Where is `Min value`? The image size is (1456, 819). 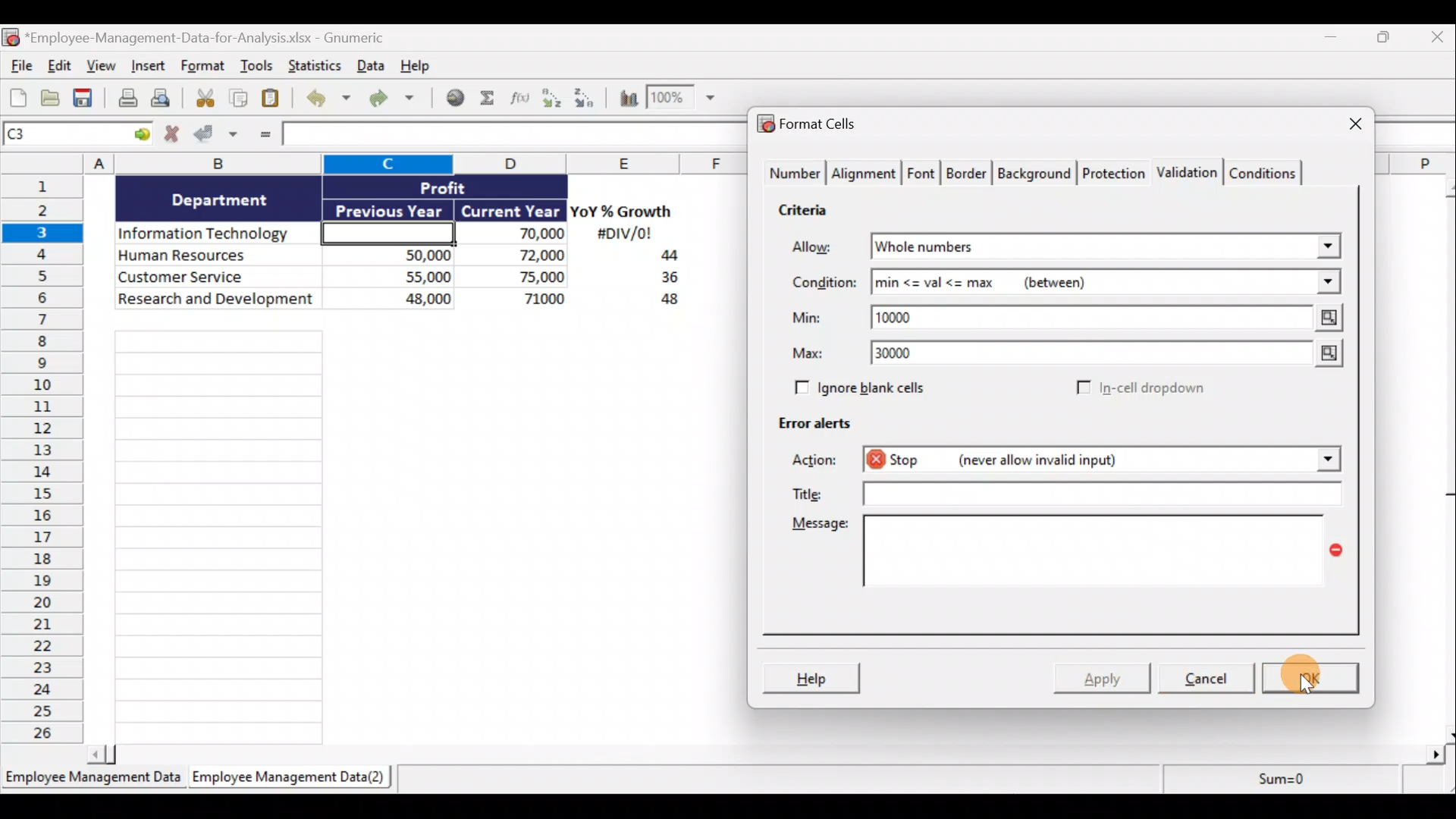 Min value is located at coordinates (1325, 318).